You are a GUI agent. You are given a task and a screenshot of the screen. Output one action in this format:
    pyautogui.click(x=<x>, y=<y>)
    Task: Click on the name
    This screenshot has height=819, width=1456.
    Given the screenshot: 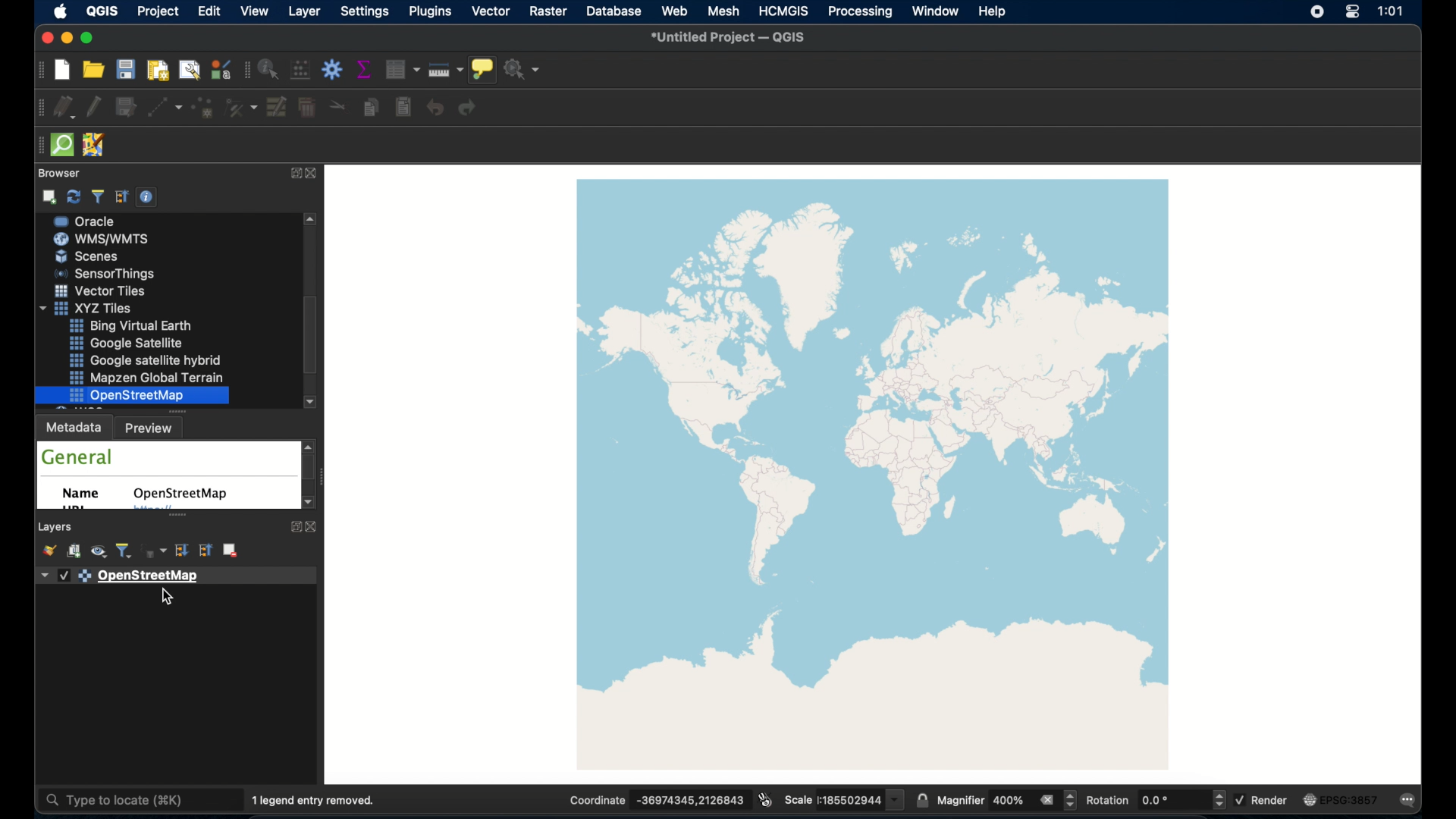 What is the action you would take?
    pyautogui.click(x=82, y=494)
    